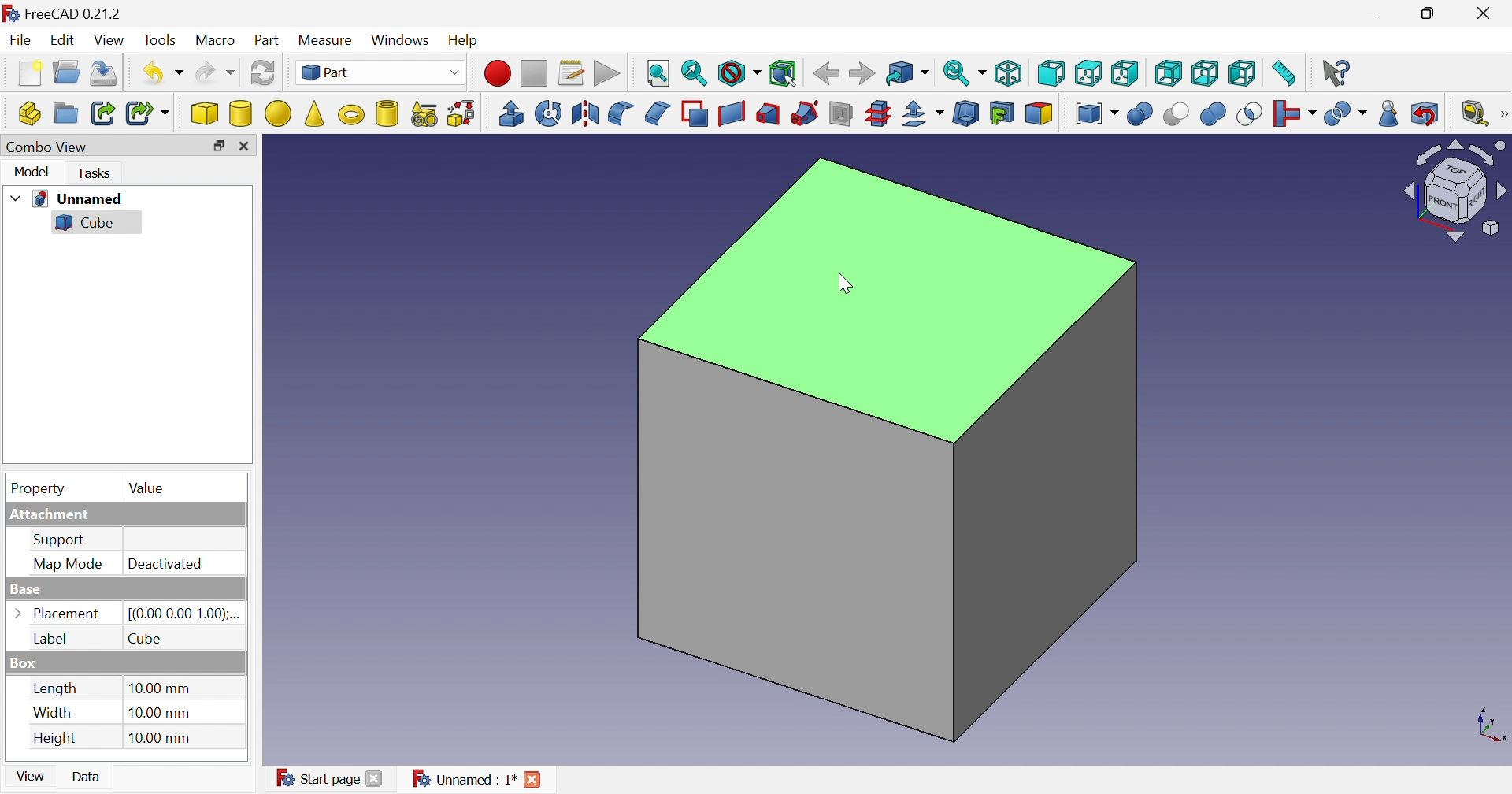  What do you see at coordinates (511, 114) in the screenshot?
I see `Extrude` at bounding box center [511, 114].